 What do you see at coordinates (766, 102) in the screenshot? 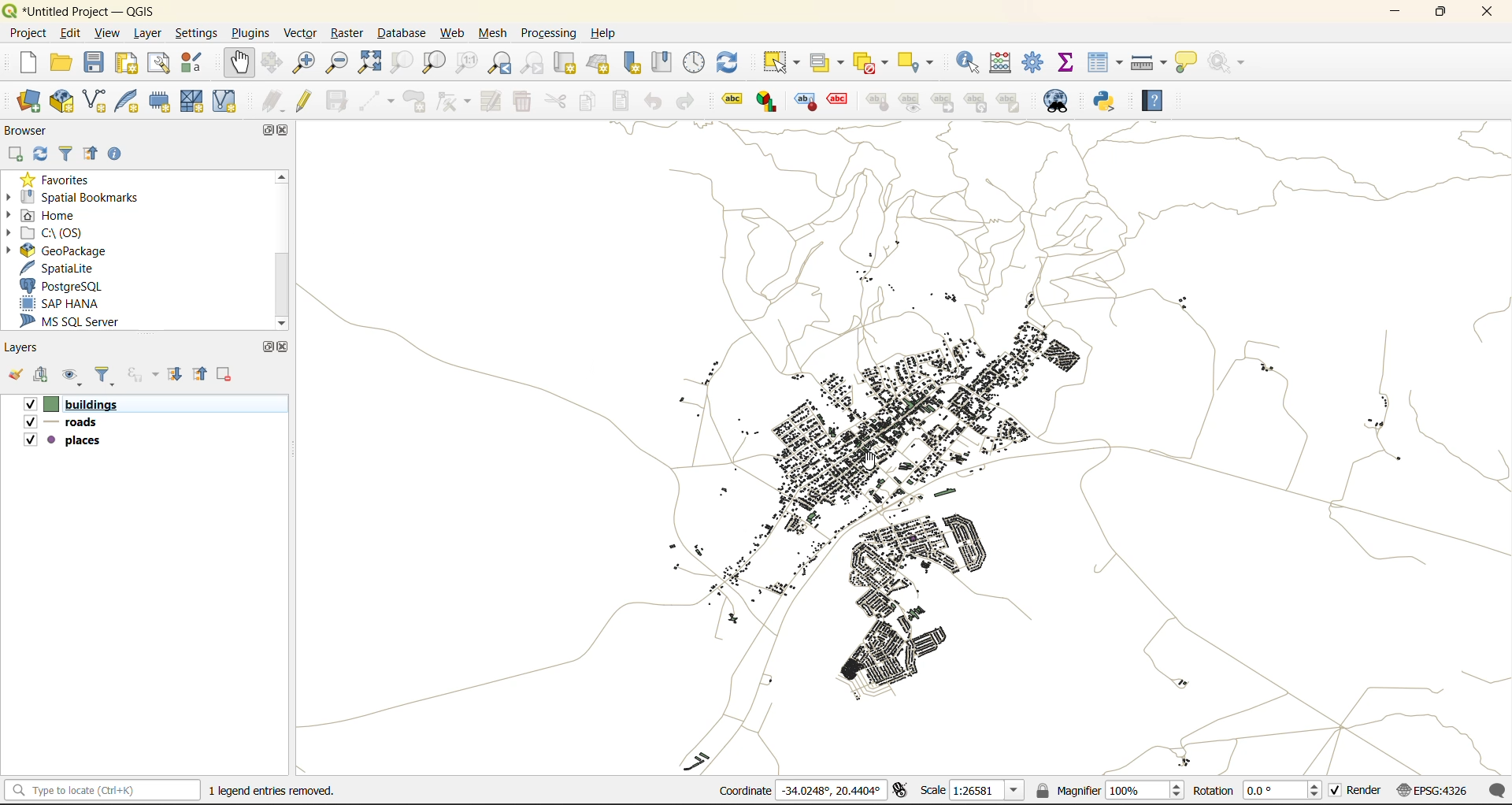
I see `label graph` at bounding box center [766, 102].